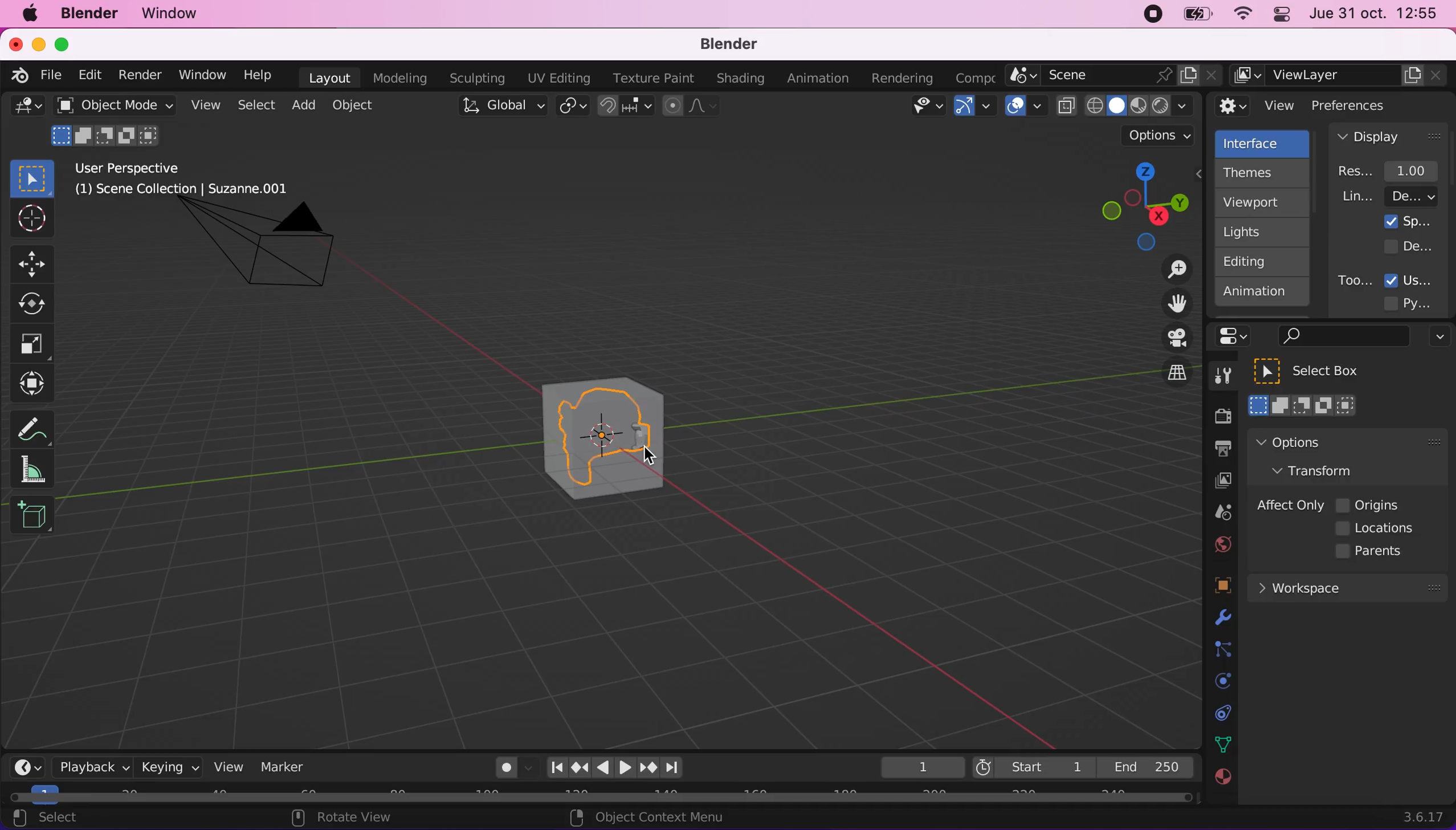  I want to click on view, so click(224, 766).